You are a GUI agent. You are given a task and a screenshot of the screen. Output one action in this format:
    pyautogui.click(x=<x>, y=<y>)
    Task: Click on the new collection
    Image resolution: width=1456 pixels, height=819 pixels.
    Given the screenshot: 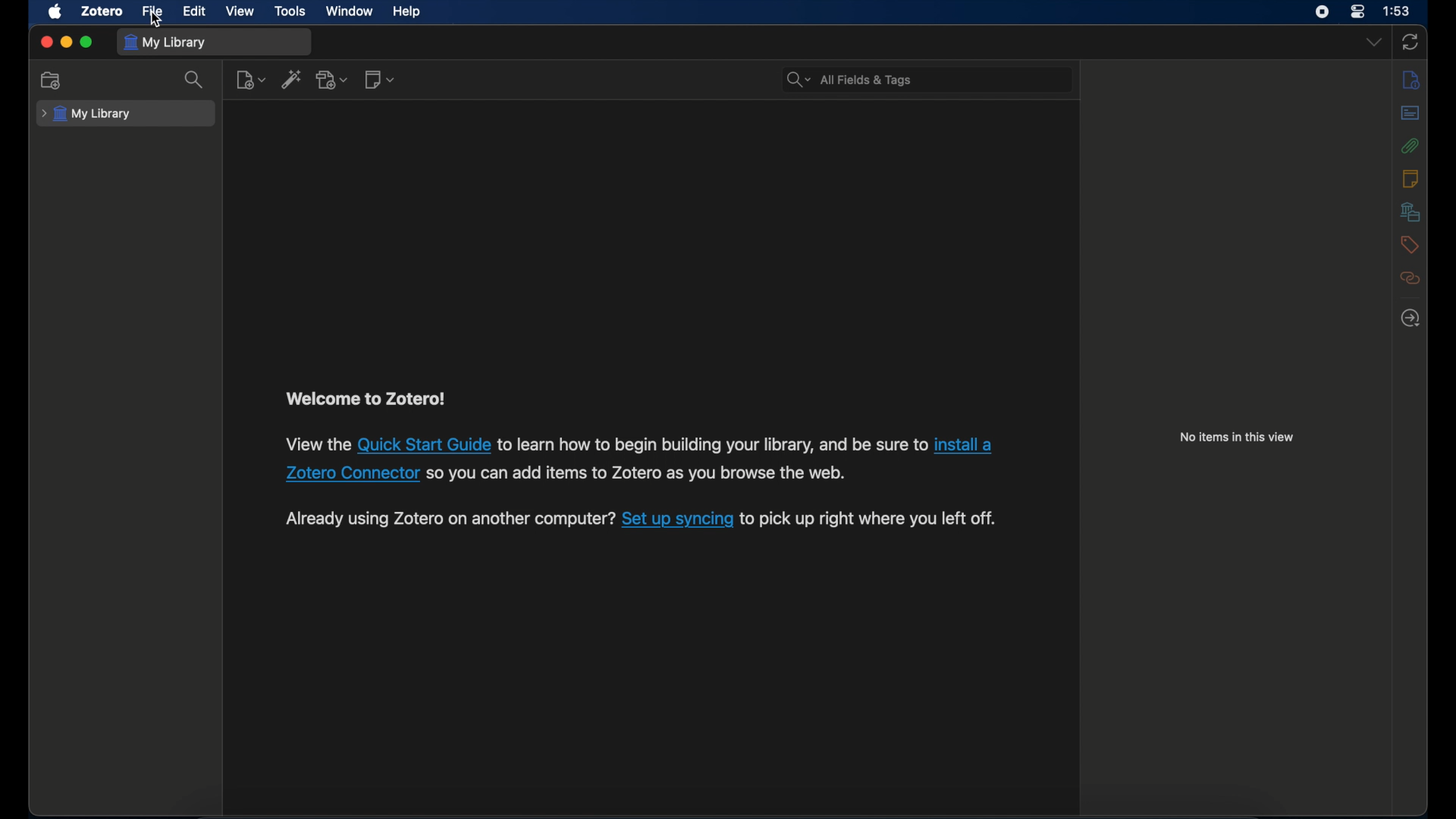 What is the action you would take?
    pyautogui.click(x=51, y=80)
    